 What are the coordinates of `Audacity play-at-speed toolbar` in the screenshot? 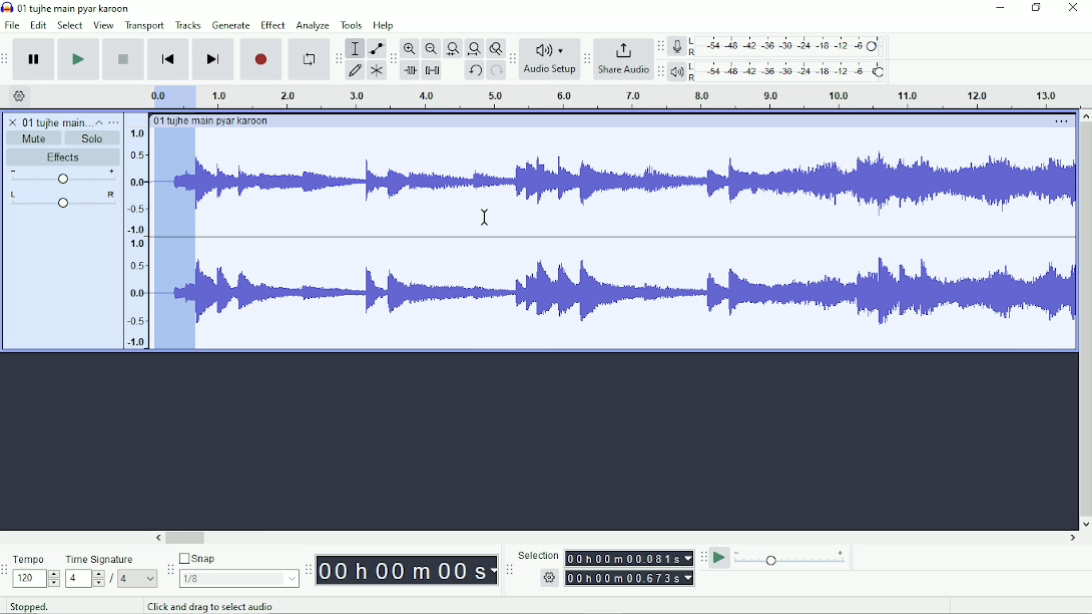 It's located at (702, 557).